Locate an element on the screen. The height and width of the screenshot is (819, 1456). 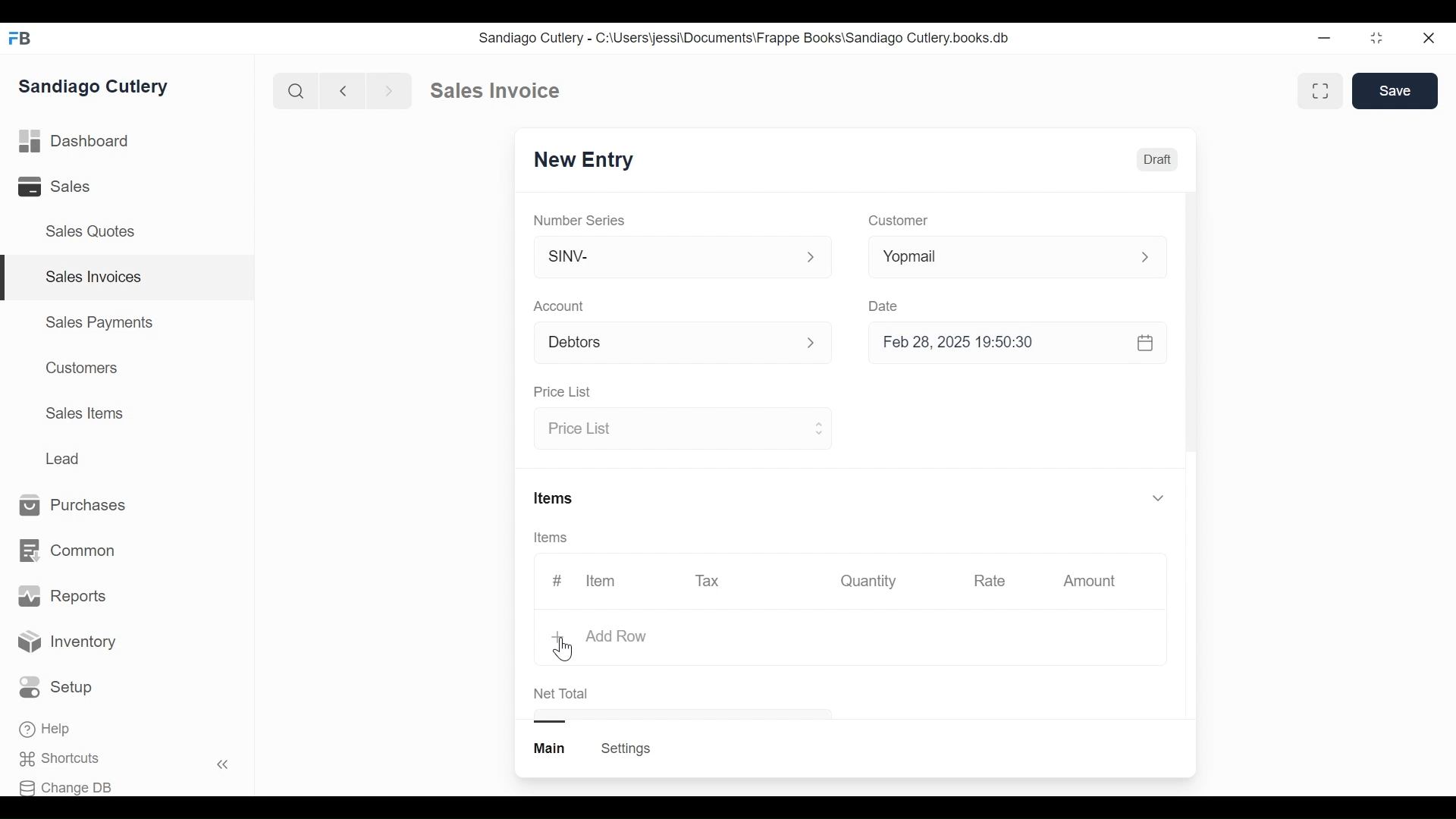
Number Series is located at coordinates (581, 220).